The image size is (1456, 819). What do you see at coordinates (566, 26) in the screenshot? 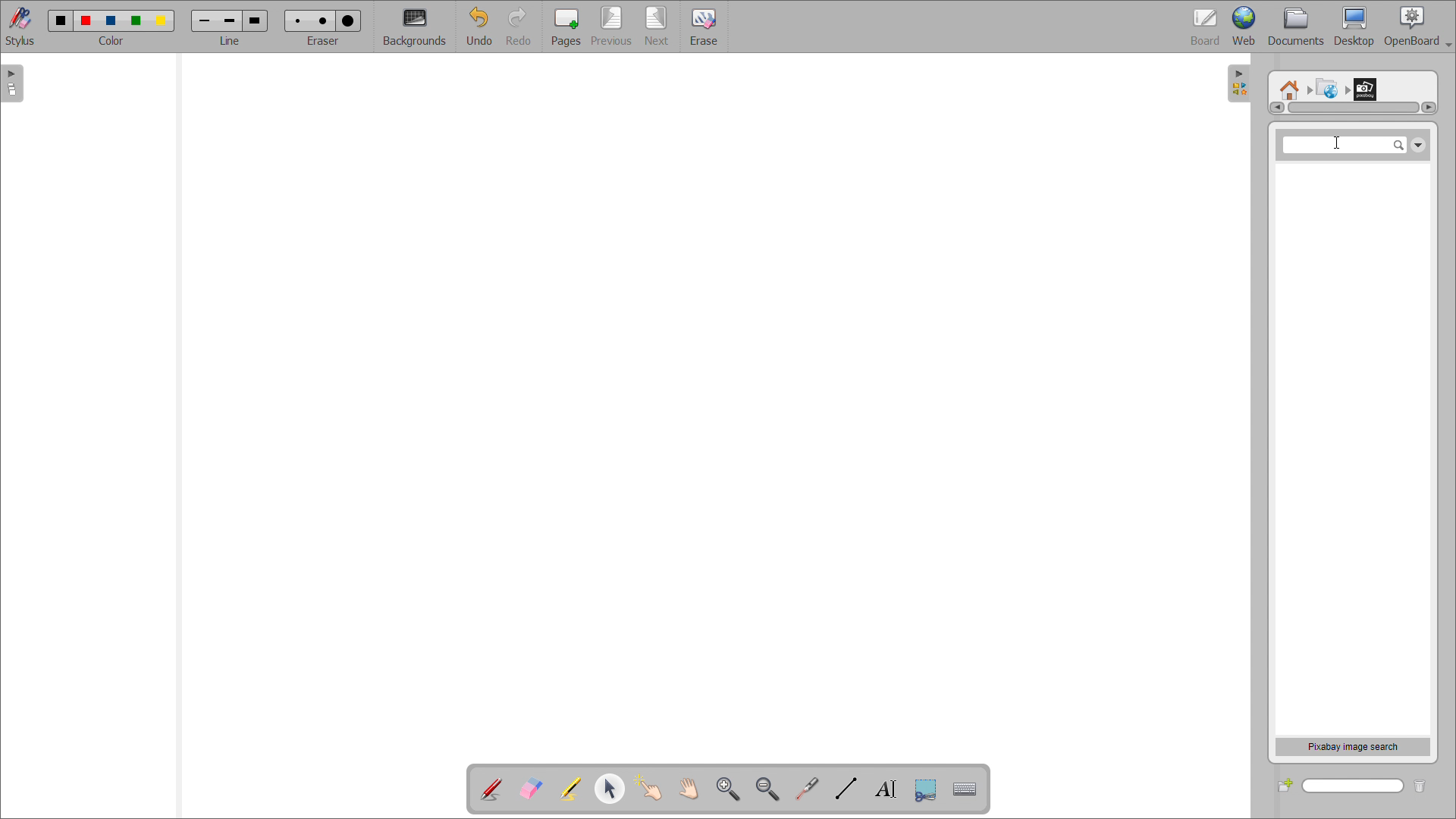
I see `add pages` at bounding box center [566, 26].